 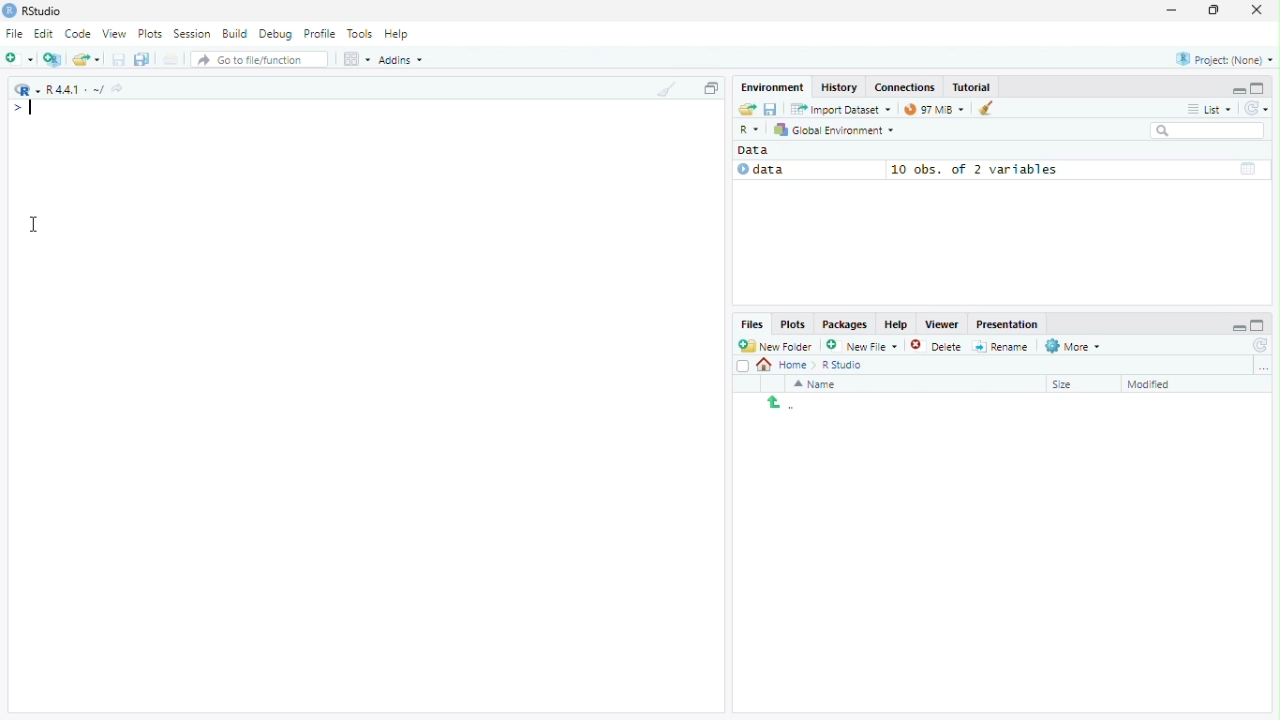 I want to click on Sort by last modified, so click(x=1164, y=384).